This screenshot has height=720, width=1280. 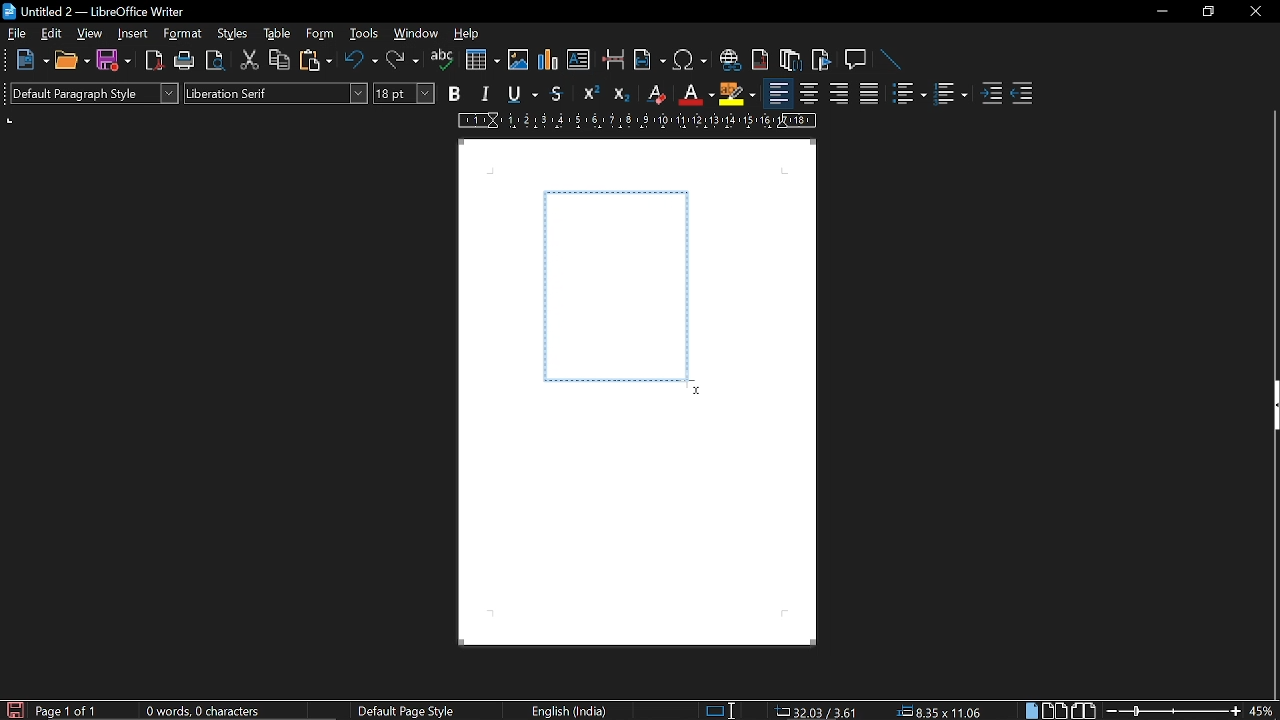 I want to click on insert hyperlink, so click(x=730, y=62).